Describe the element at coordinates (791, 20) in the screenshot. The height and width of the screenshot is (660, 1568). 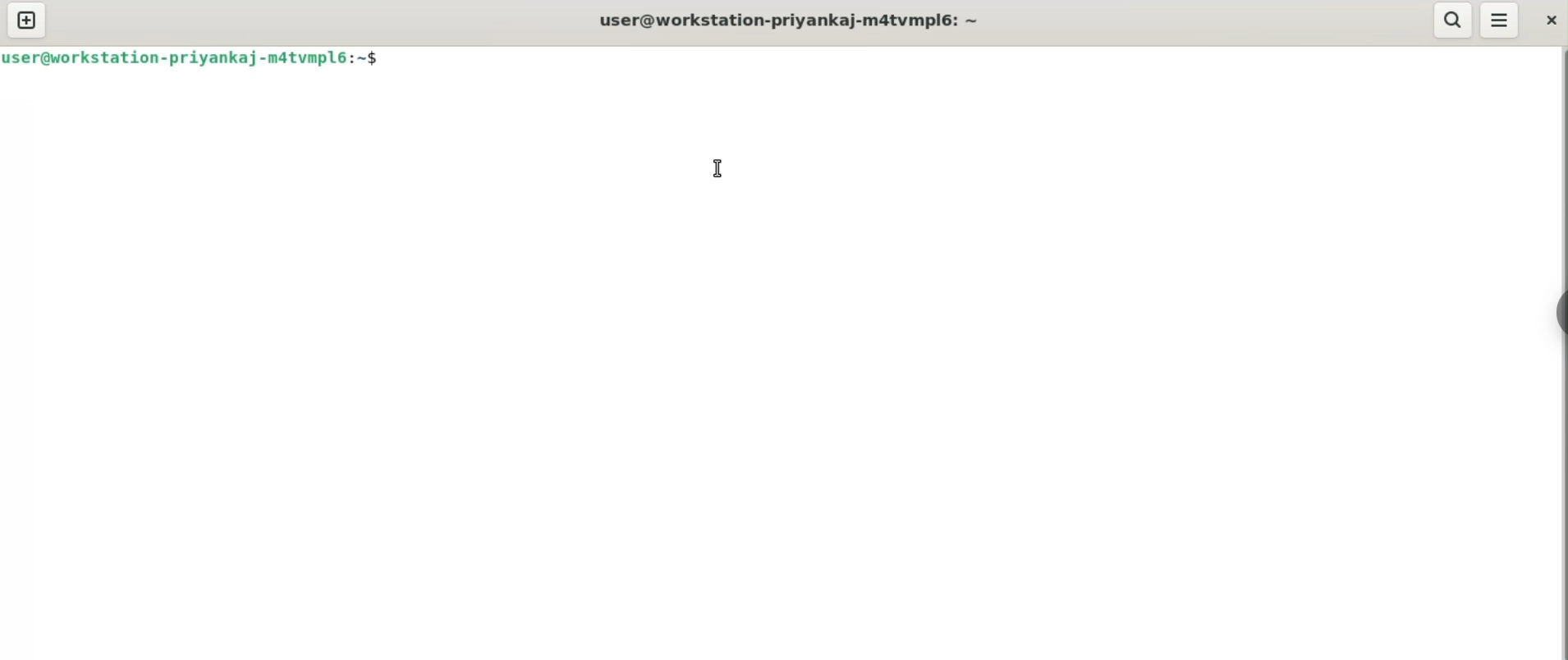
I see `user@workstation-priyankaj-m4tvmpl6: ~` at that location.